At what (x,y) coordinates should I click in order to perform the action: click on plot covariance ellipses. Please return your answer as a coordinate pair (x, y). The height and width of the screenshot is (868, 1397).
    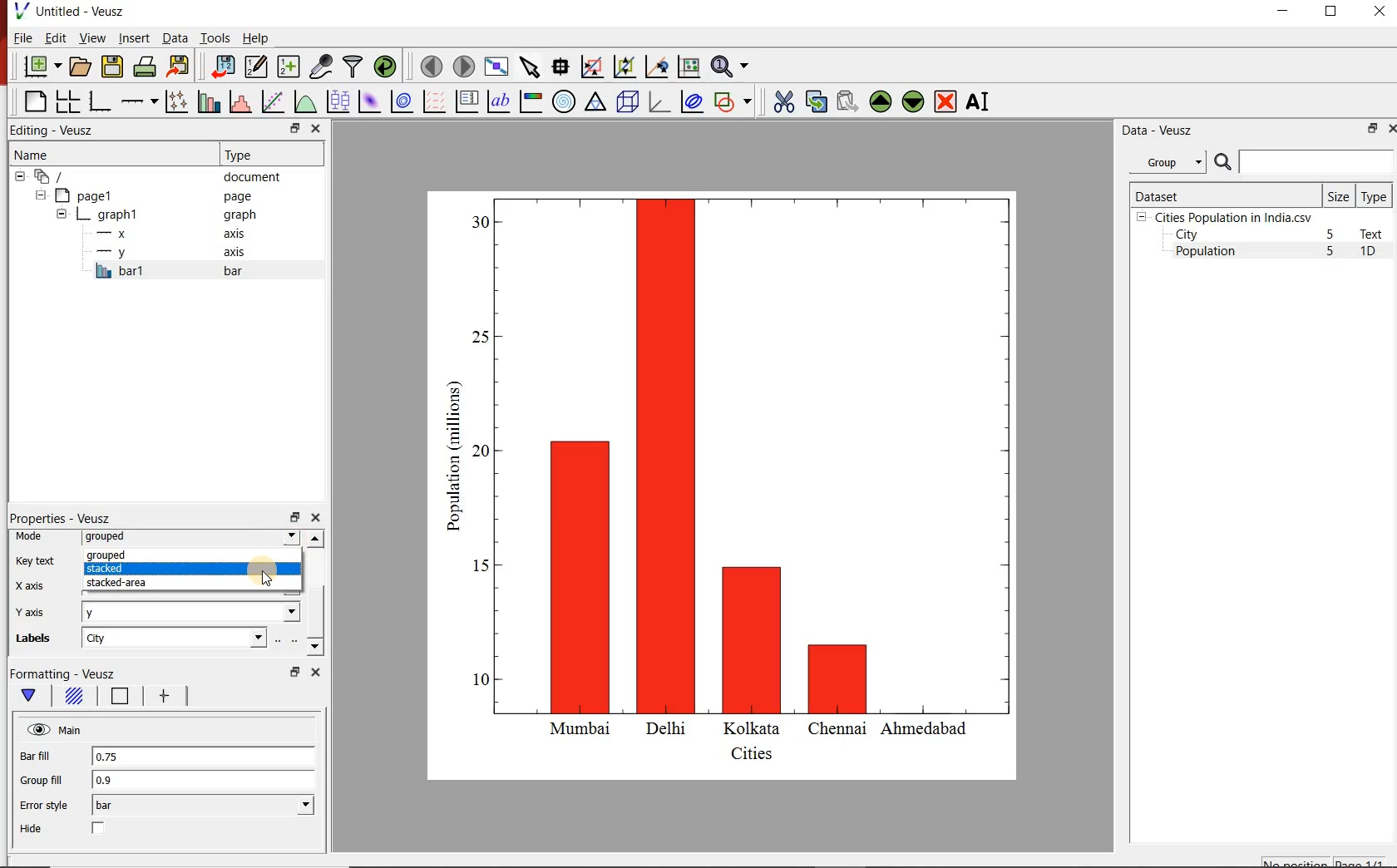
    Looking at the image, I should click on (692, 102).